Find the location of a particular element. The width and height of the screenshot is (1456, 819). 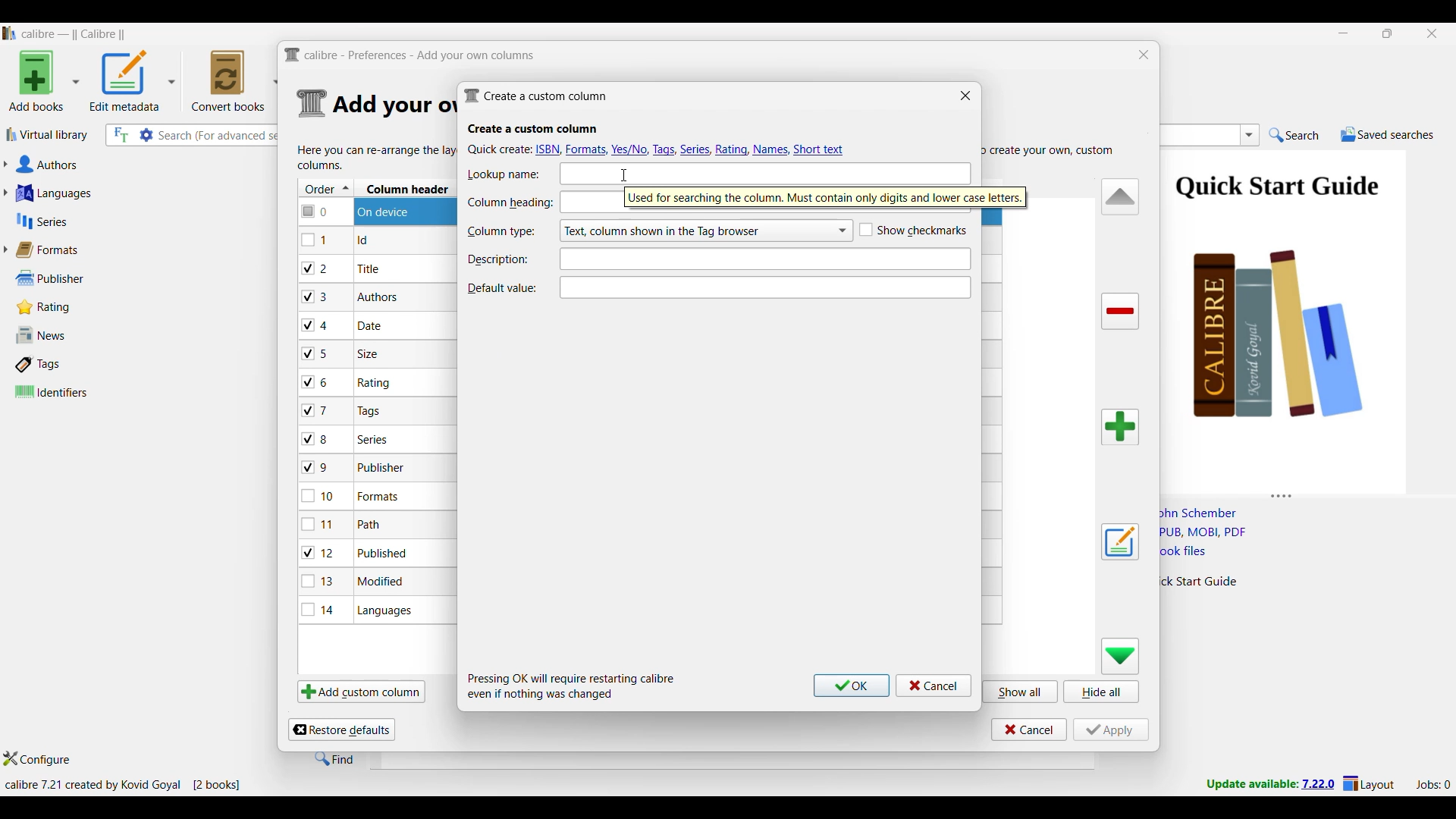

Delete column is located at coordinates (1121, 312).